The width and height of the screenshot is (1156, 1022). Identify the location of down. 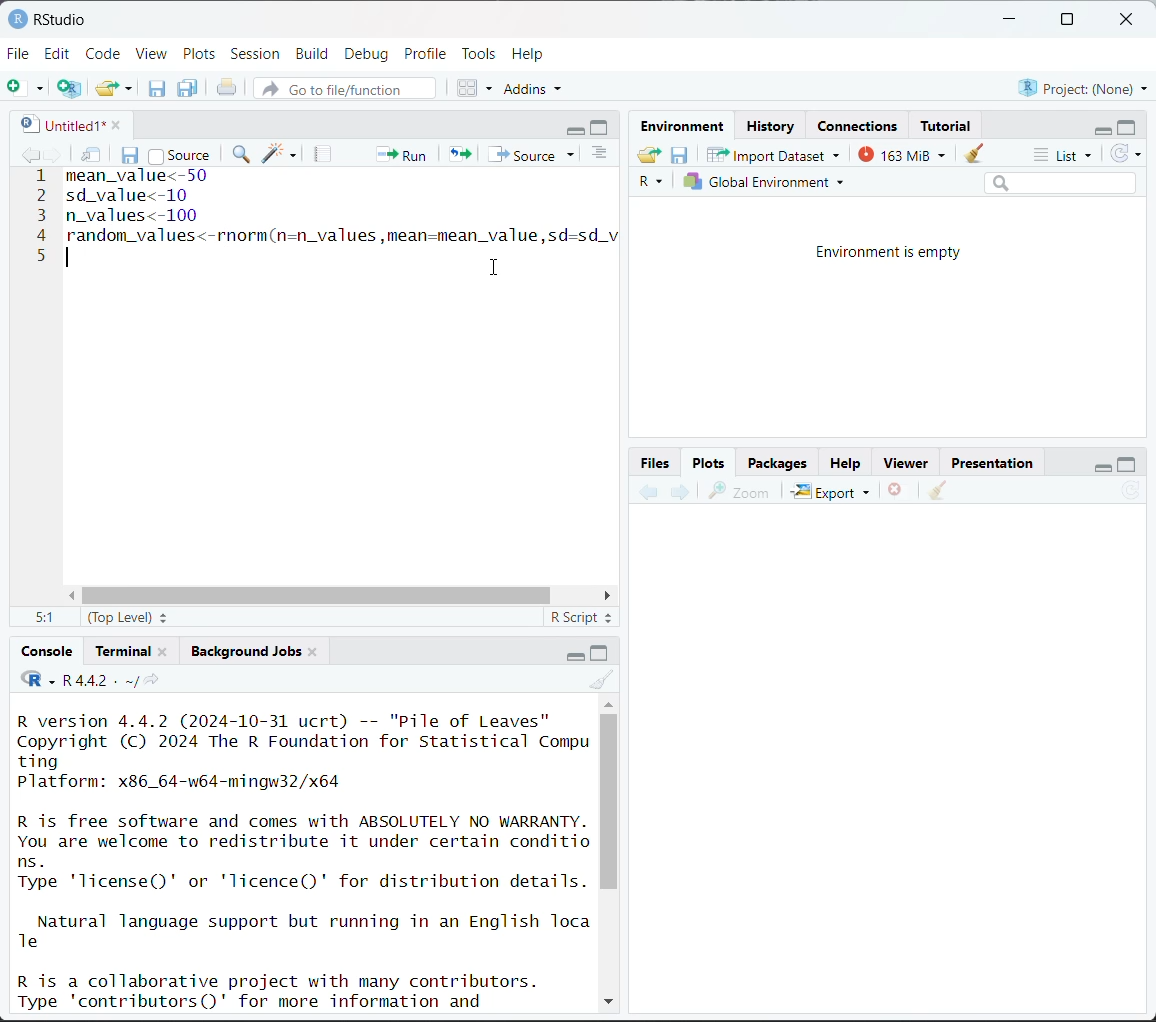
(607, 998).